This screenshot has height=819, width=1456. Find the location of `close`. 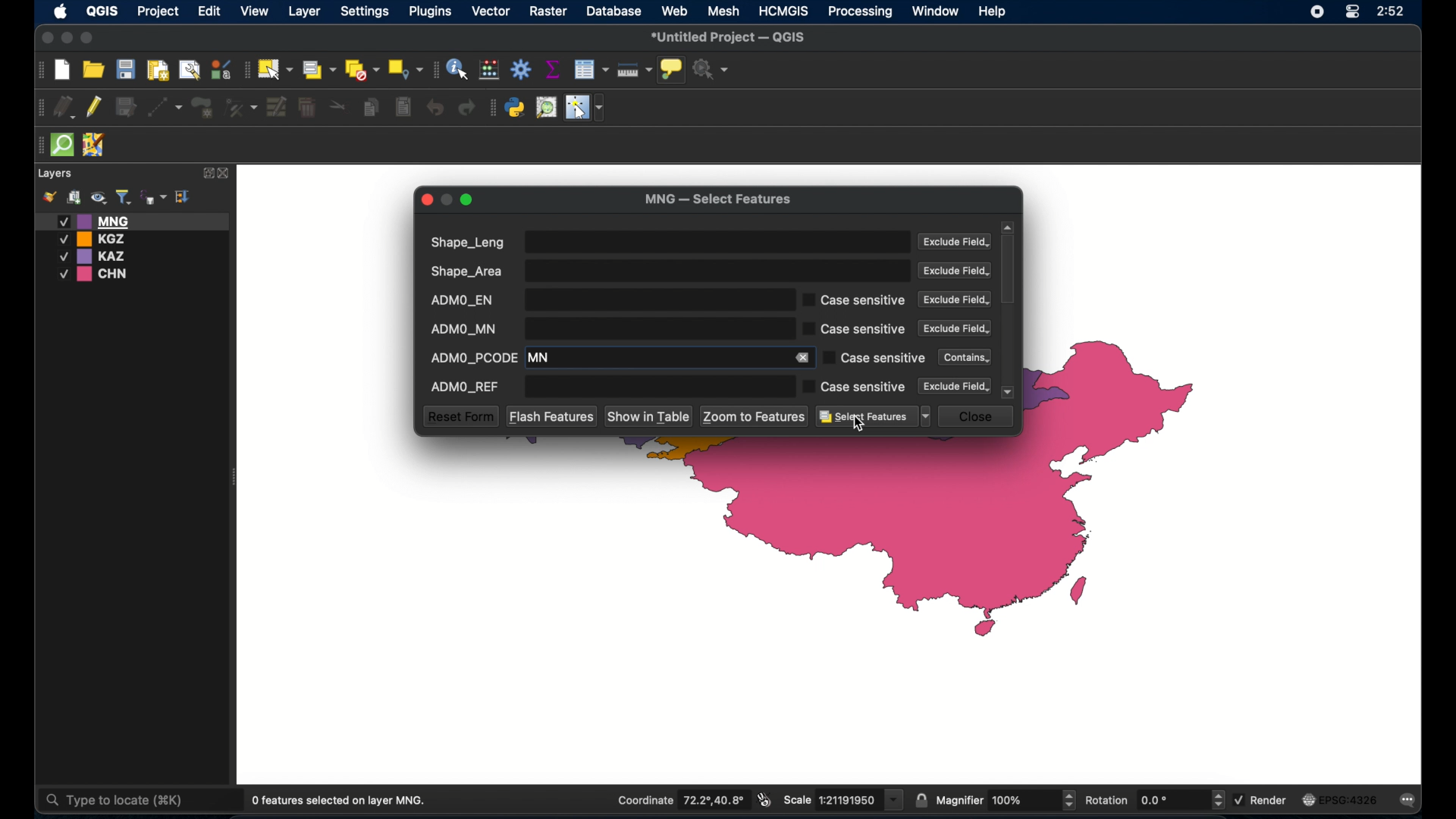

close is located at coordinates (979, 416).